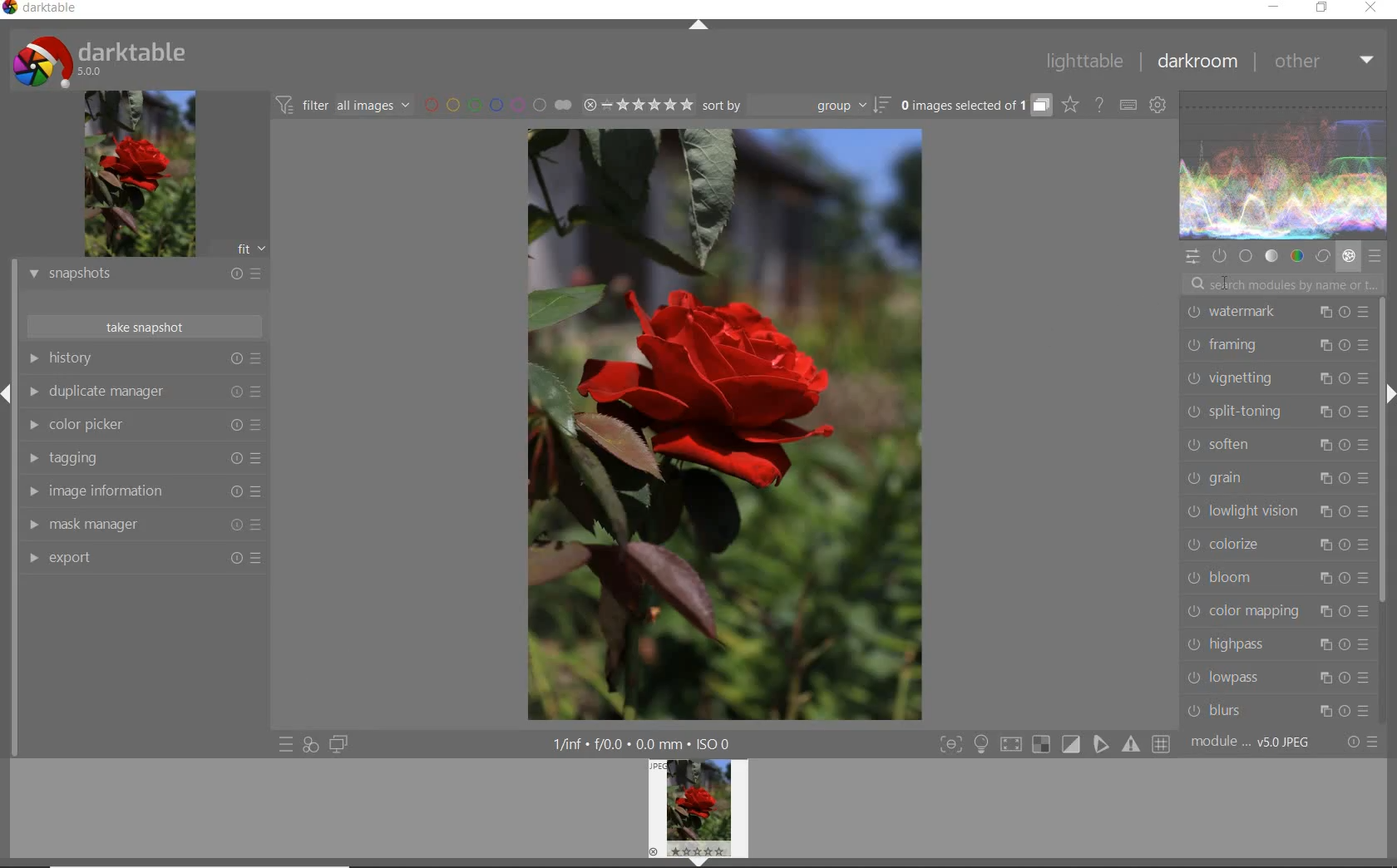  I want to click on soften, so click(1274, 443).